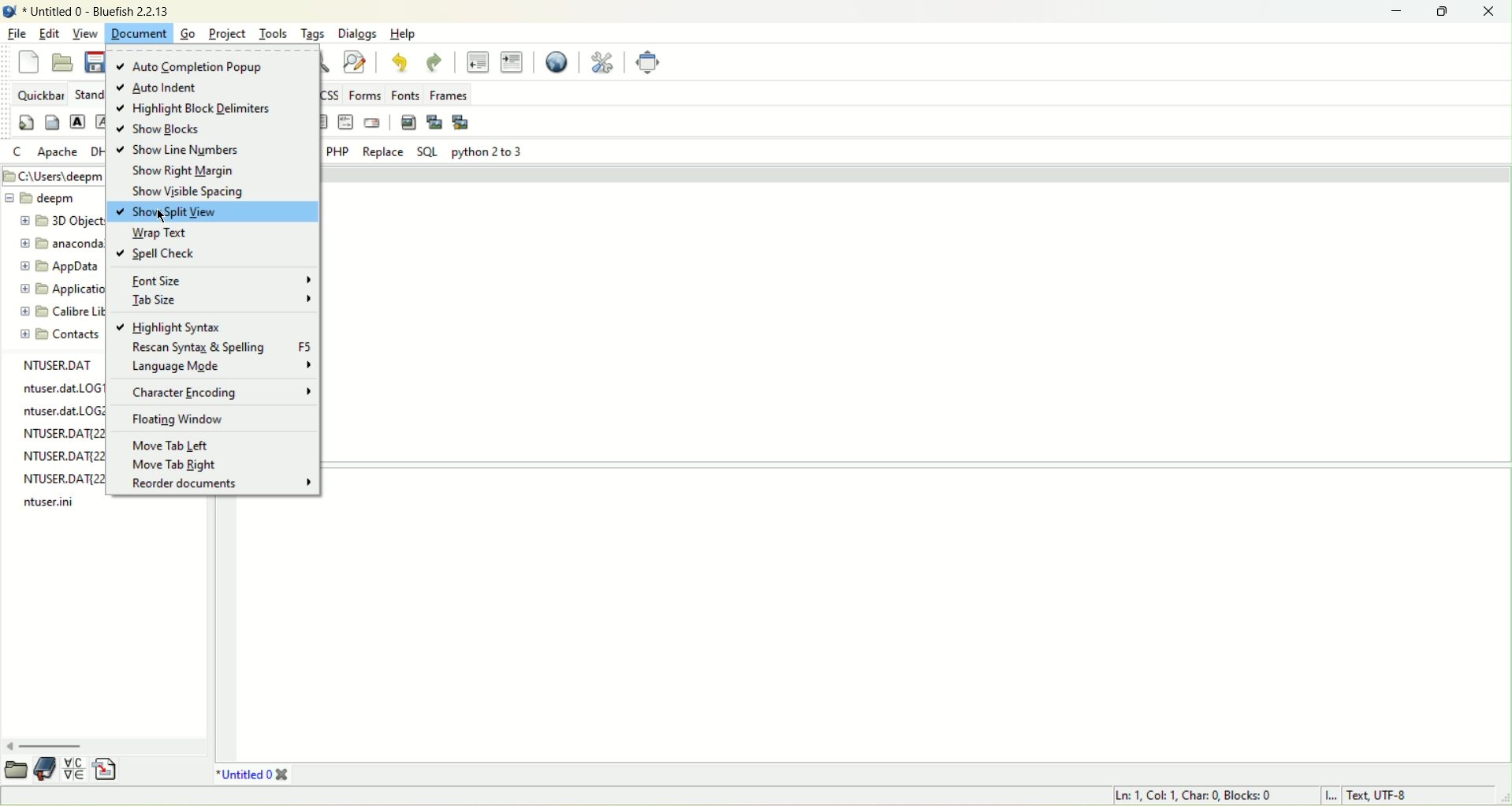  Describe the element at coordinates (222, 299) in the screenshot. I see `tab size` at that location.